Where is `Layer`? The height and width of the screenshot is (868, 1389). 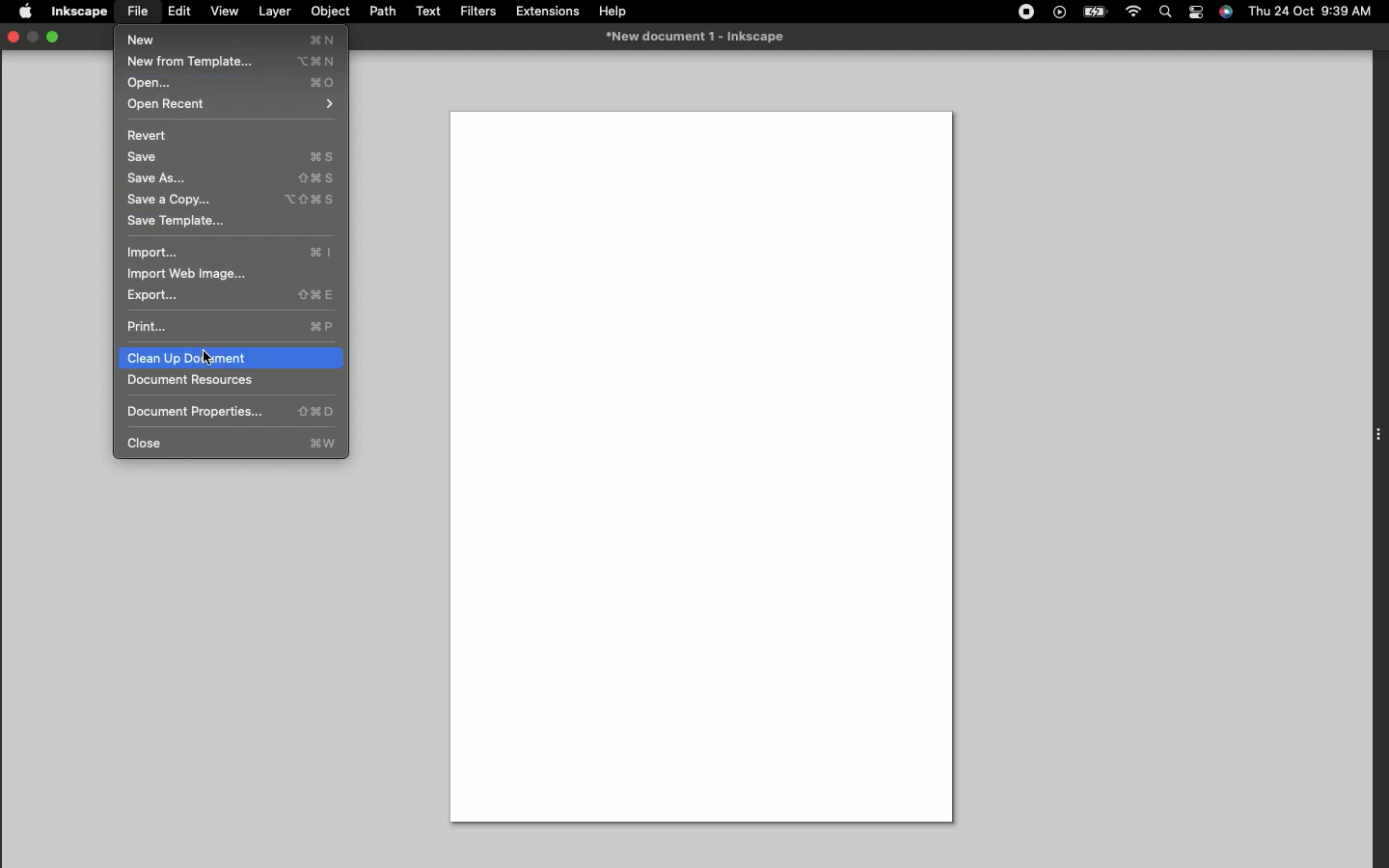
Layer is located at coordinates (277, 11).